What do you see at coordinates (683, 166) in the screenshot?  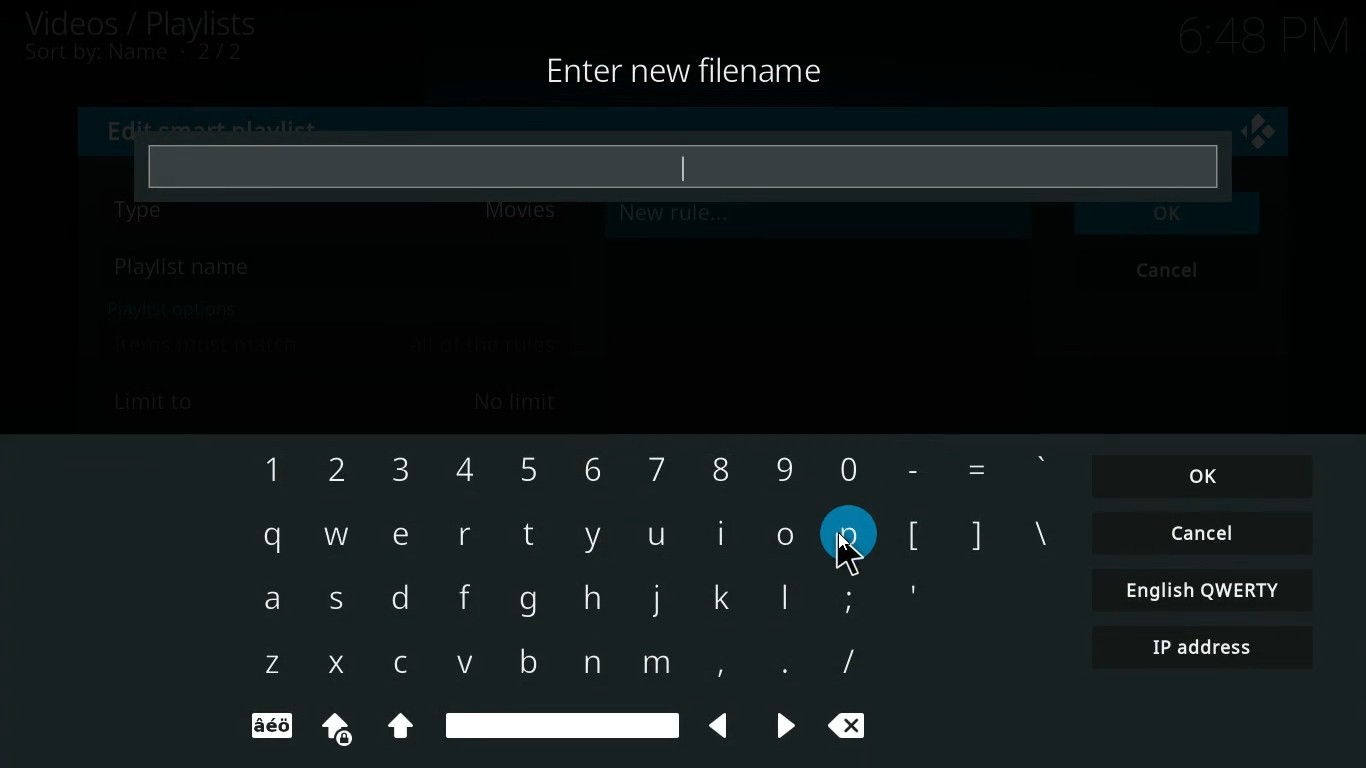 I see `space to input filename` at bounding box center [683, 166].